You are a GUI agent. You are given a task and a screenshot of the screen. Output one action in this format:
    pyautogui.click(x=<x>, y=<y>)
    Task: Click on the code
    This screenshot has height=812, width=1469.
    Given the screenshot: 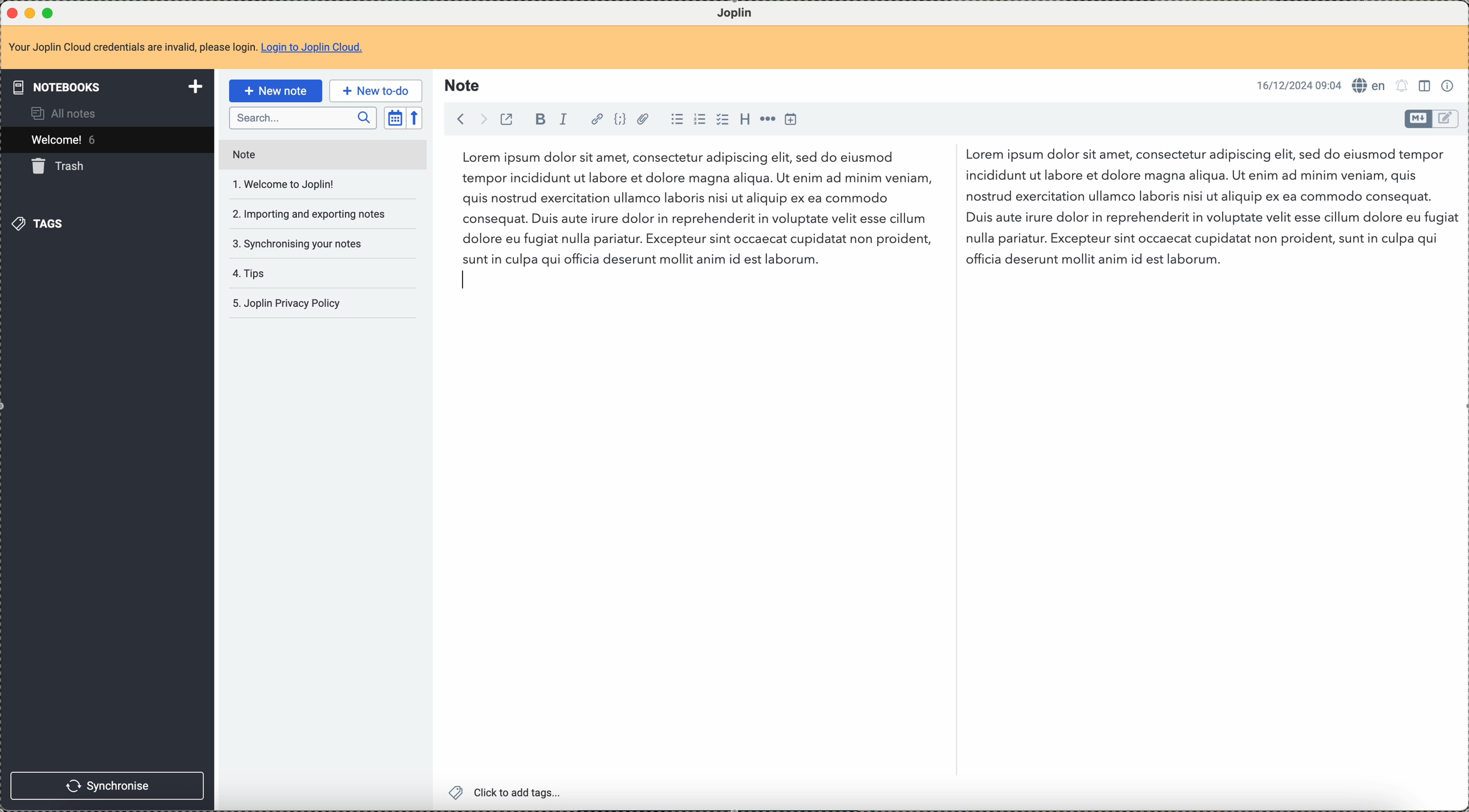 What is the action you would take?
    pyautogui.click(x=620, y=118)
    